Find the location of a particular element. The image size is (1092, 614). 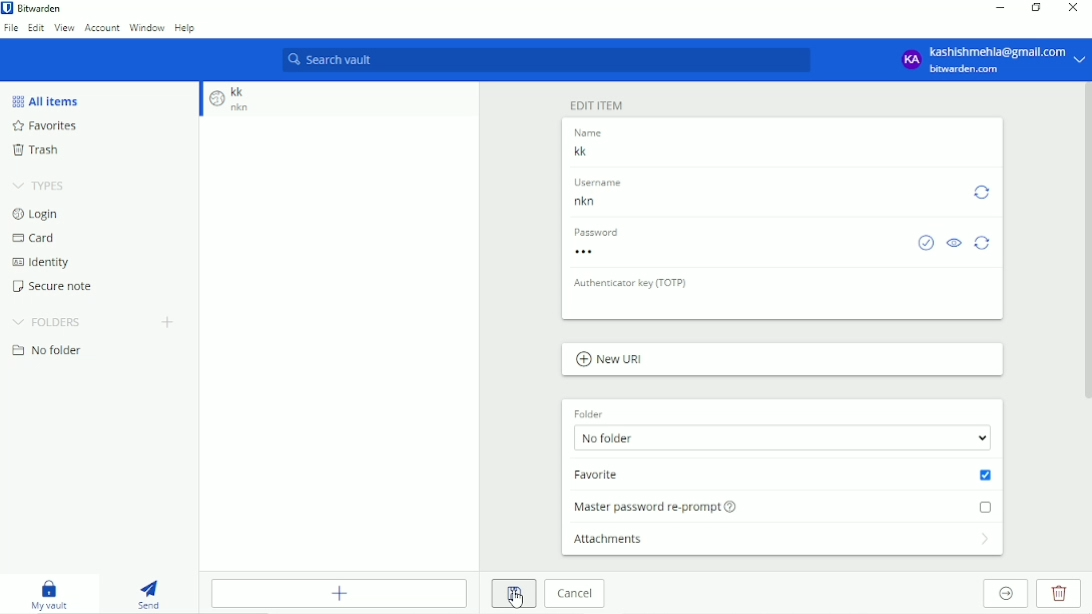

password label is located at coordinates (604, 232).